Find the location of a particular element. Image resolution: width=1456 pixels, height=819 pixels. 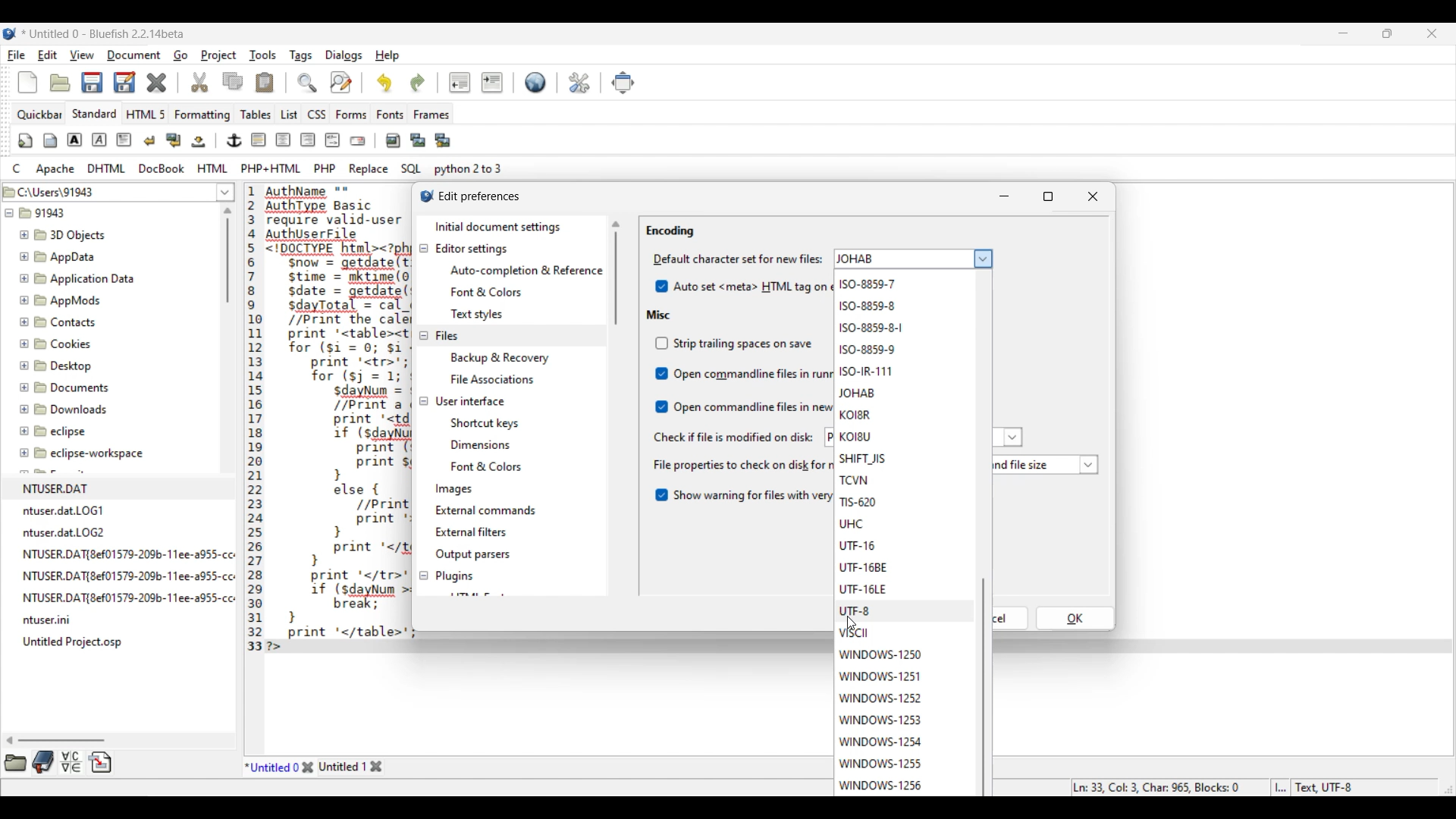

List of folder location is located at coordinates (225, 192).